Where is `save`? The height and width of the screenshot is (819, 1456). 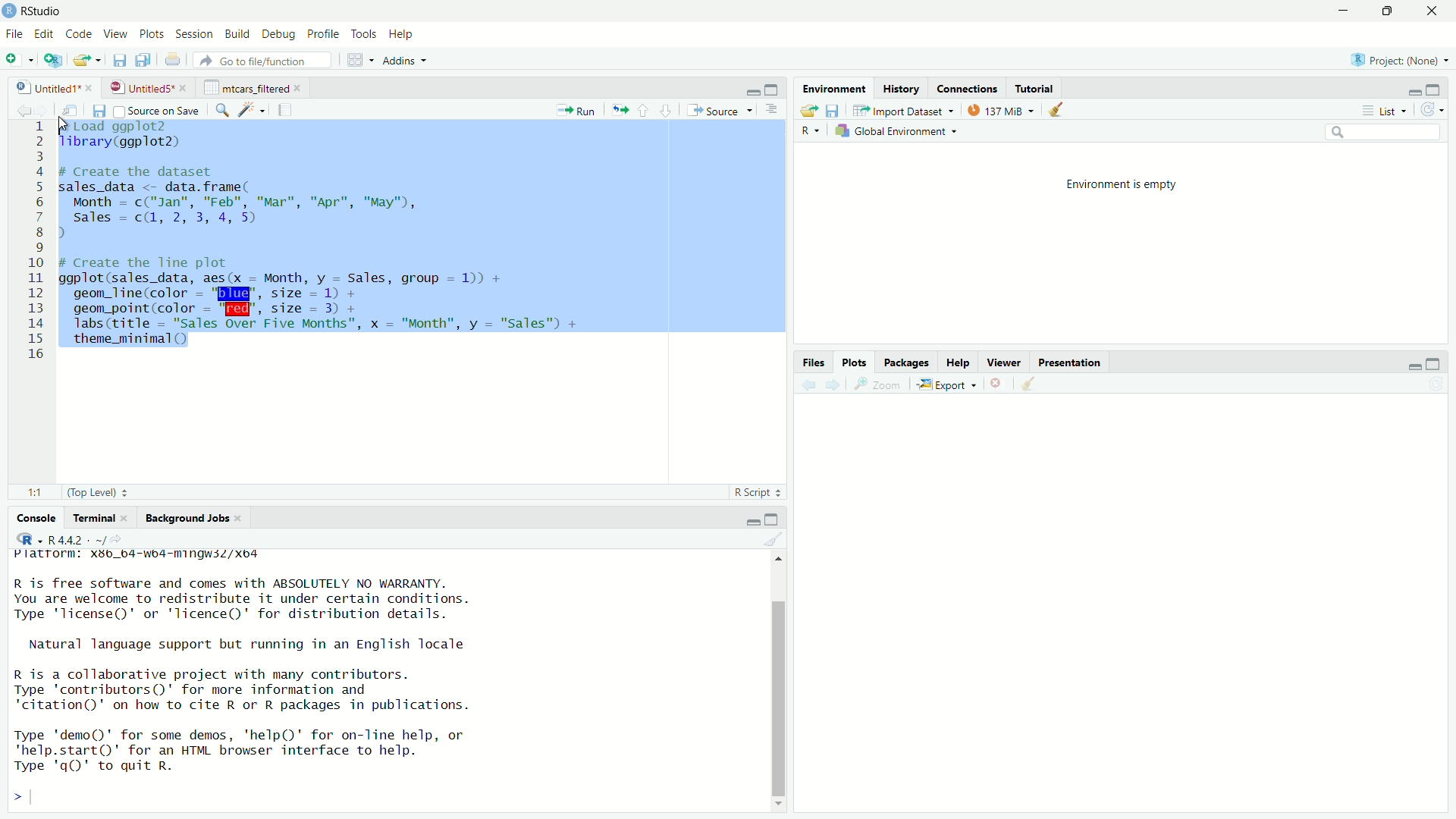
save is located at coordinates (101, 111).